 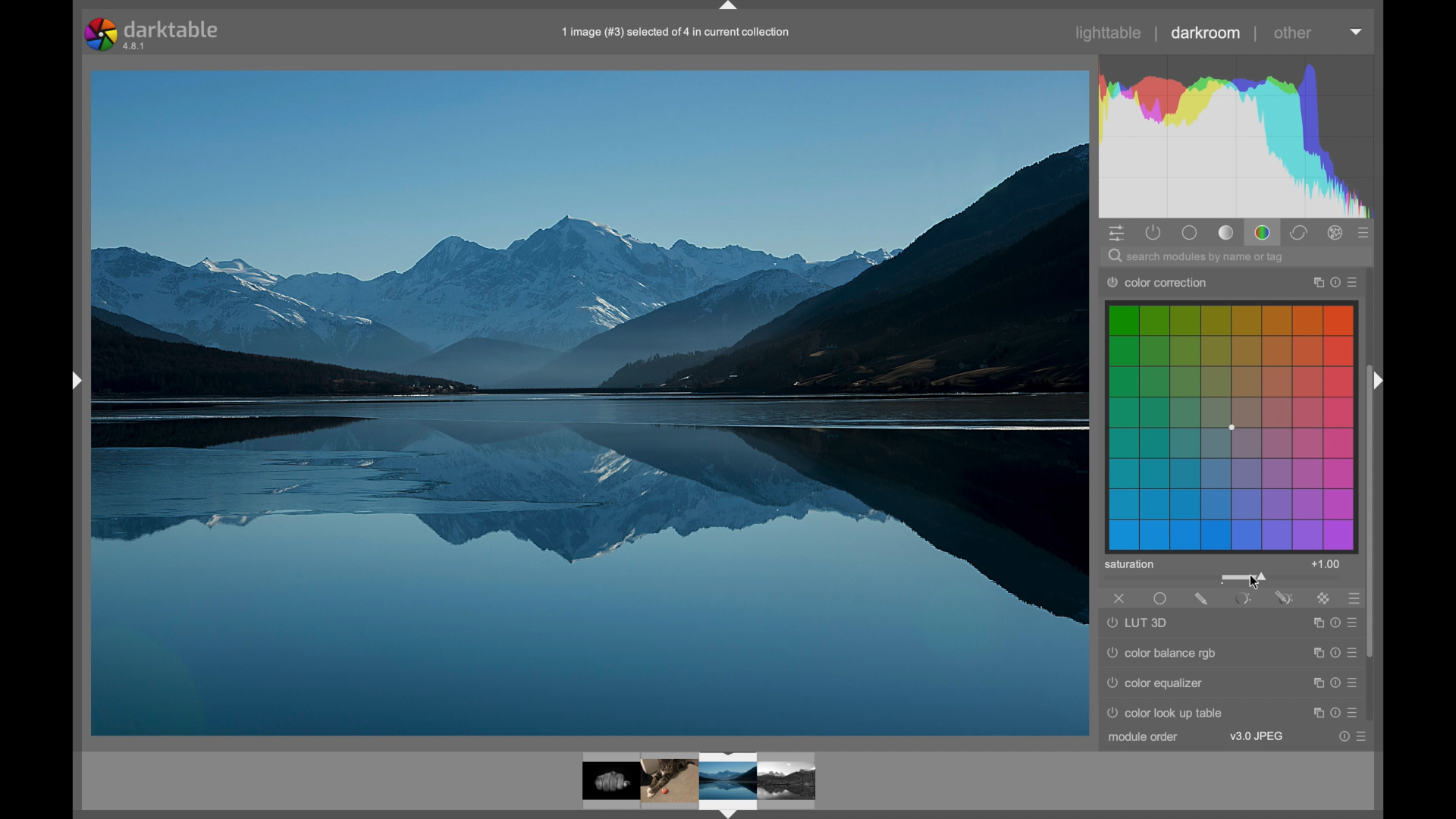 I want to click on base, so click(x=1191, y=234).